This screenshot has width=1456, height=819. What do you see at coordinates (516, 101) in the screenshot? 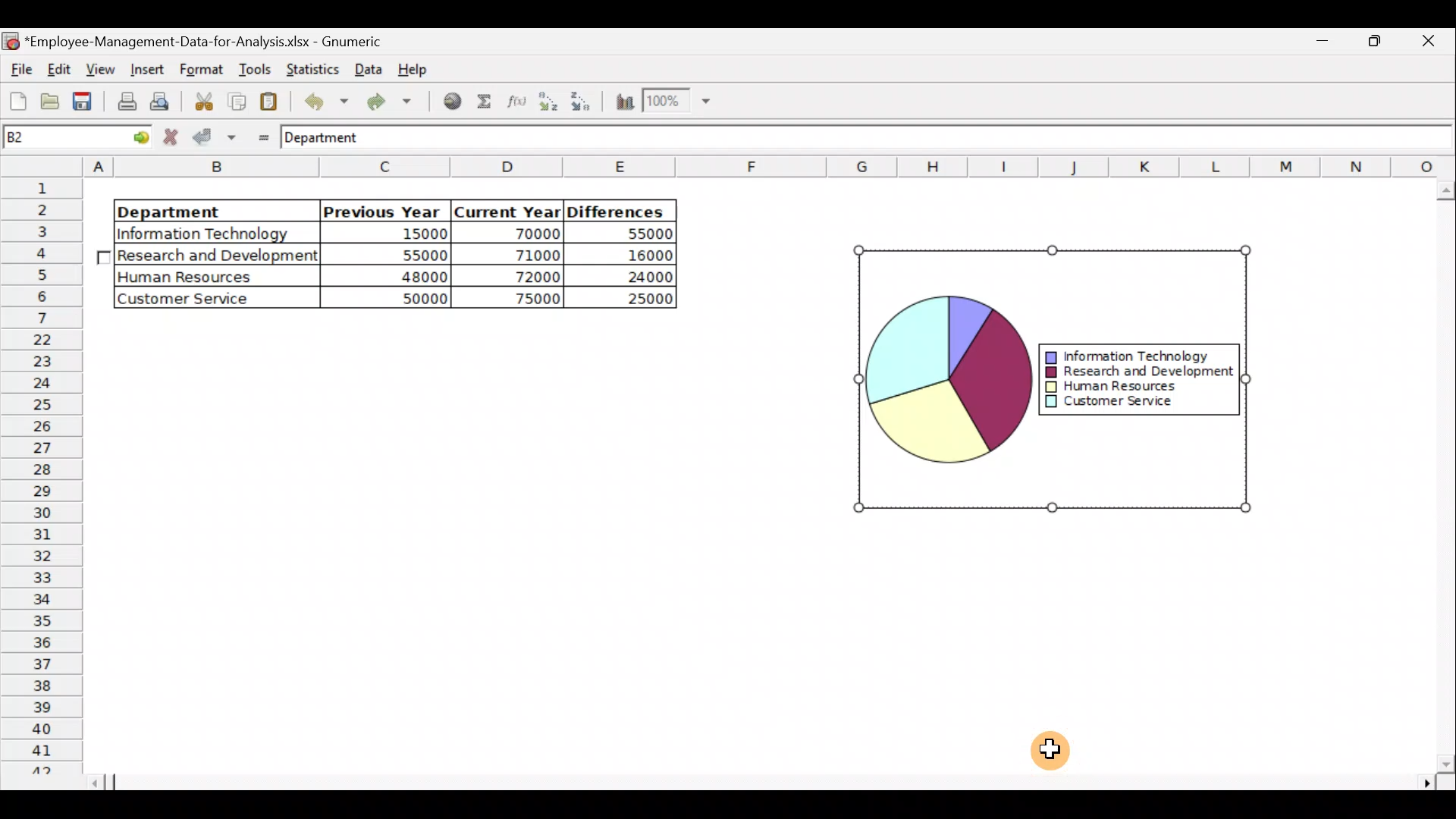
I see `Edit a function in the current cell` at bounding box center [516, 101].